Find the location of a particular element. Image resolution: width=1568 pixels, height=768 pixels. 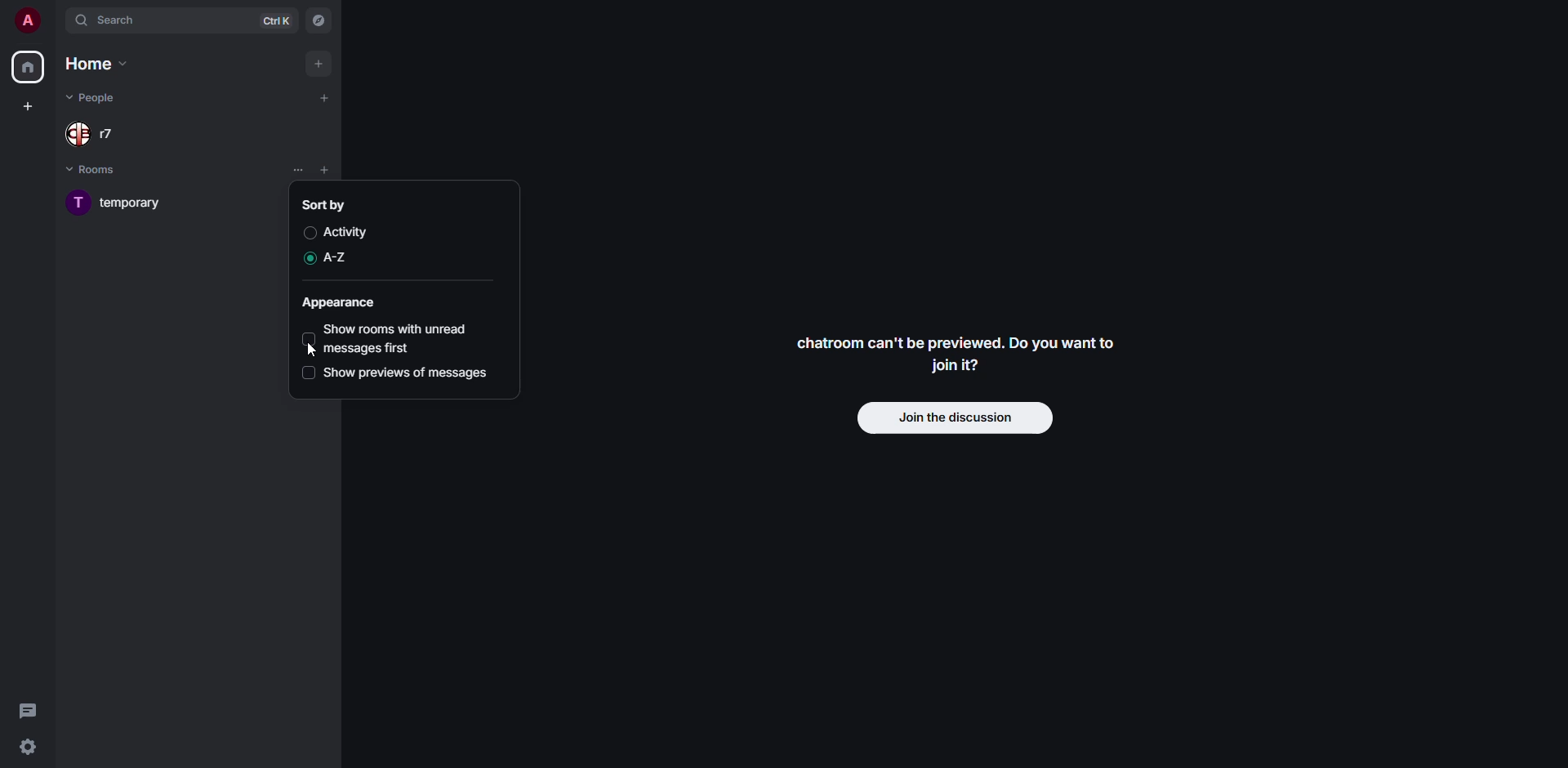

disabled is located at coordinates (309, 338).